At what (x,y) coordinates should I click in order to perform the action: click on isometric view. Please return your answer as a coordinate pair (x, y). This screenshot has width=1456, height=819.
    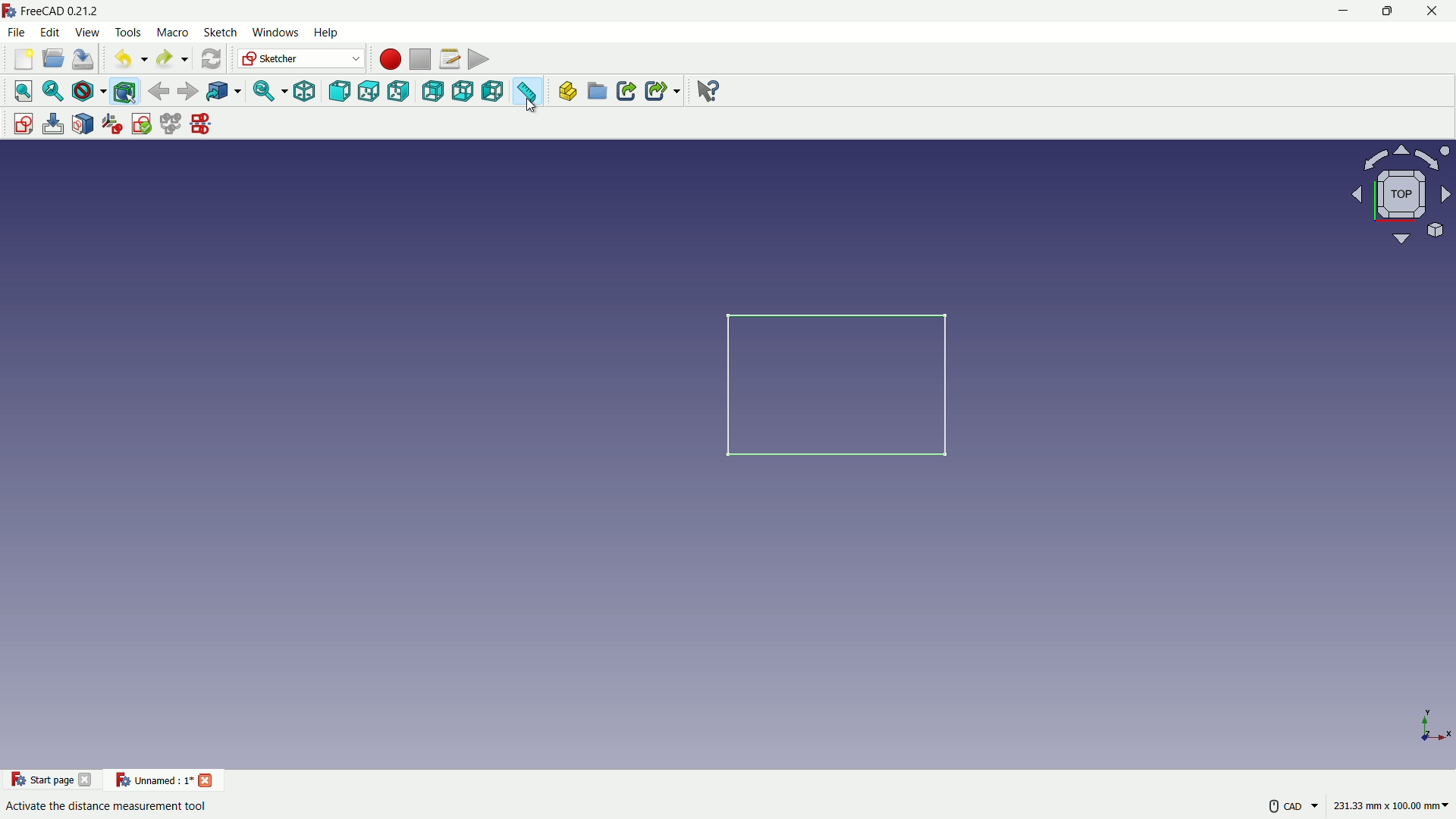
    Looking at the image, I should click on (300, 91).